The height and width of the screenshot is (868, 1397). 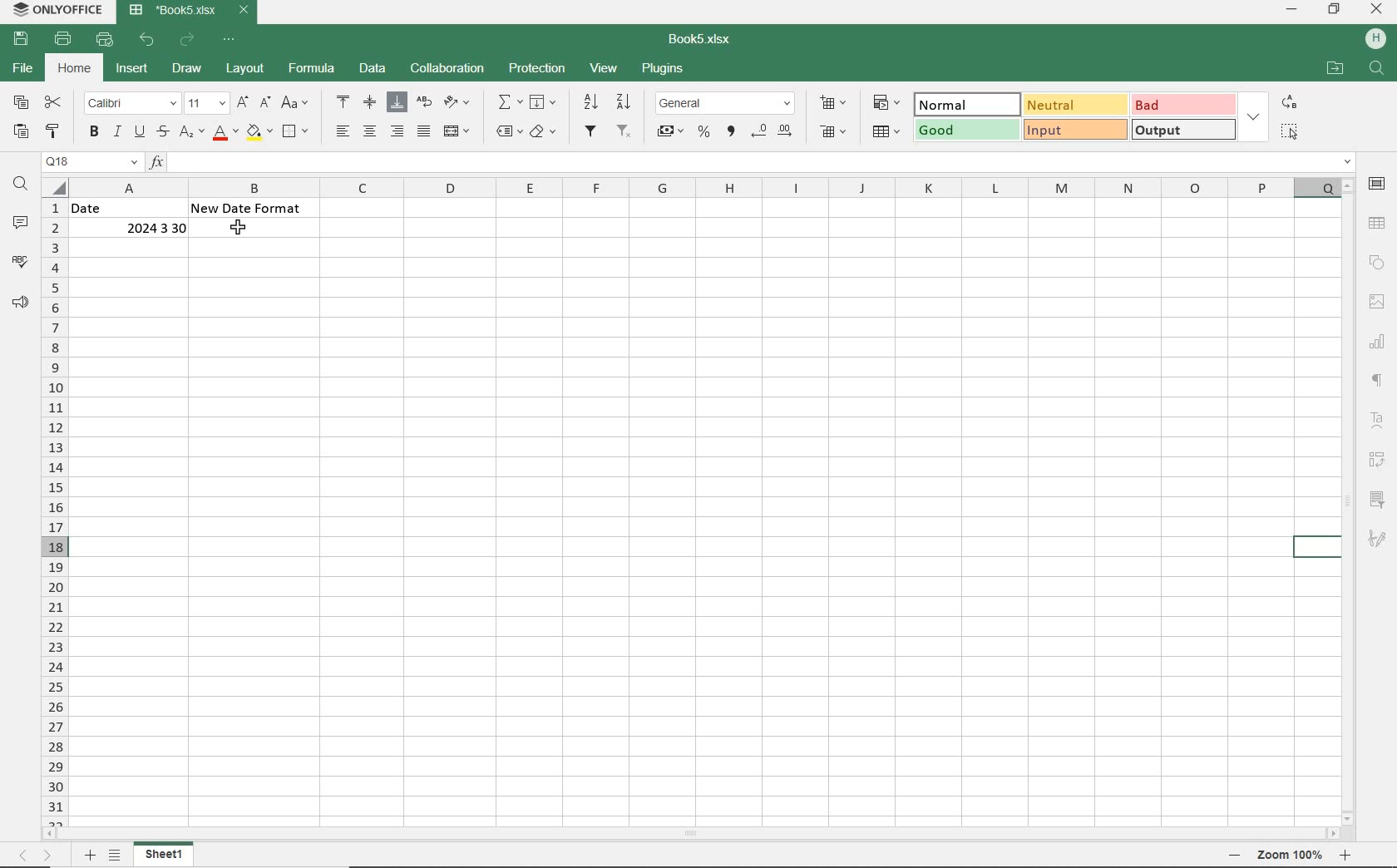 What do you see at coordinates (450, 69) in the screenshot?
I see `COLLABORATION` at bounding box center [450, 69].